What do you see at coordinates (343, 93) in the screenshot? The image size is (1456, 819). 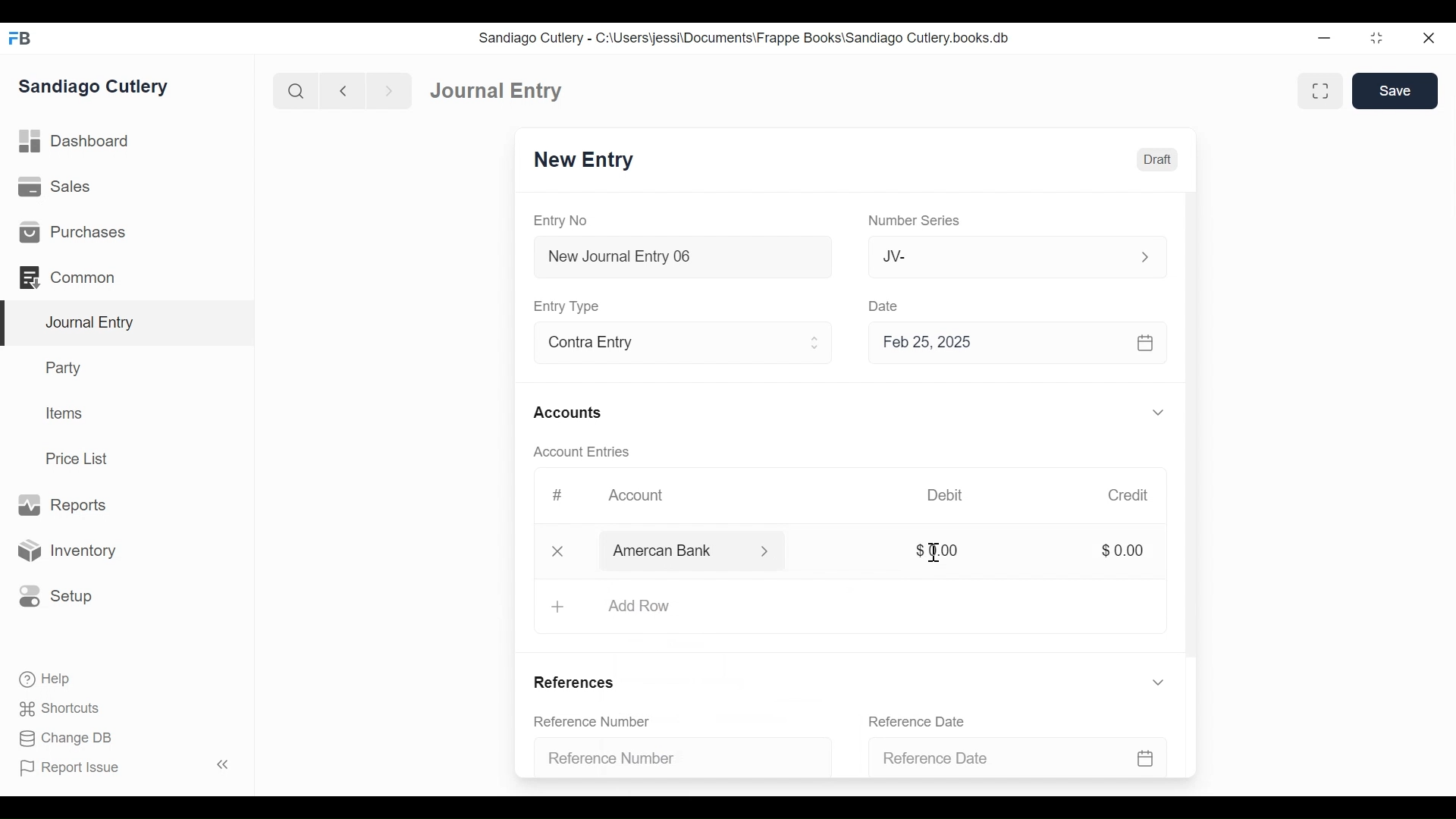 I see `Navigate back` at bounding box center [343, 93].